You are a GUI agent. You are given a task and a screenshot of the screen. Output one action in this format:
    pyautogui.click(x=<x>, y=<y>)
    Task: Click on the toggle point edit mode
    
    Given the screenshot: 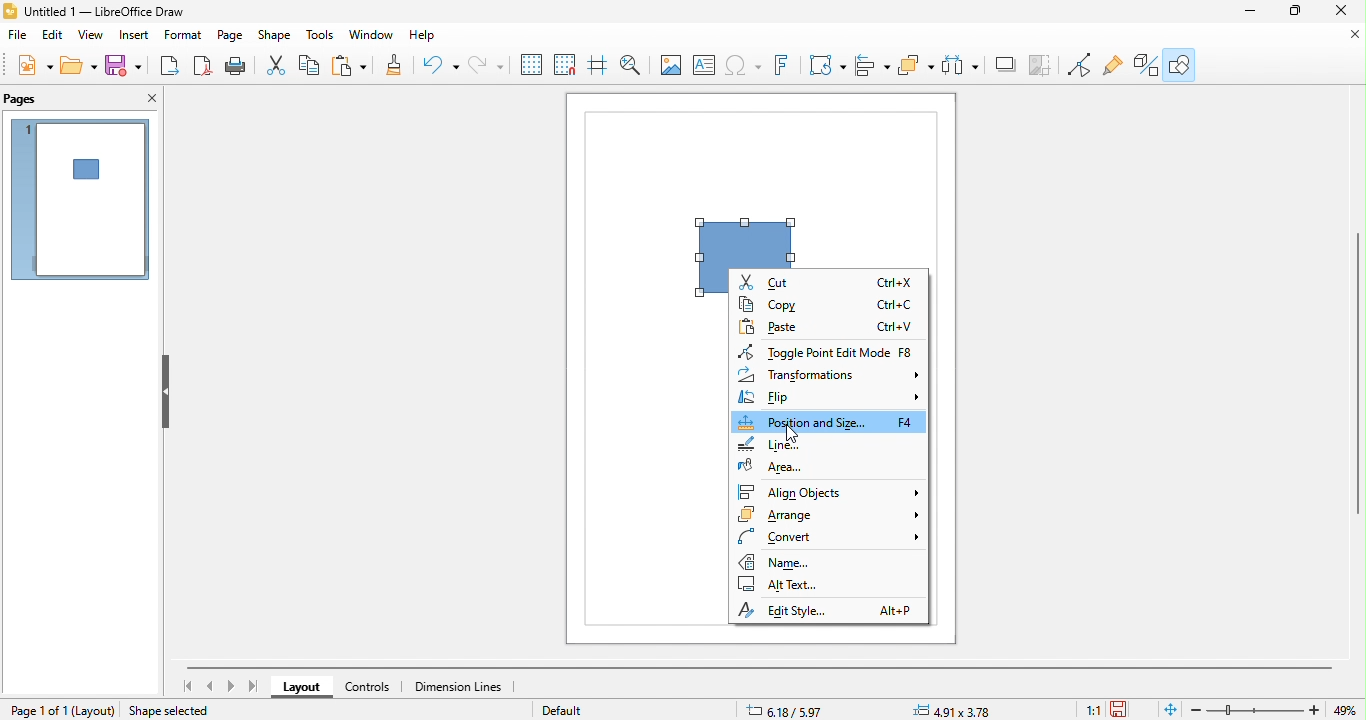 What is the action you would take?
    pyautogui.click(x=1081, y=66)
    